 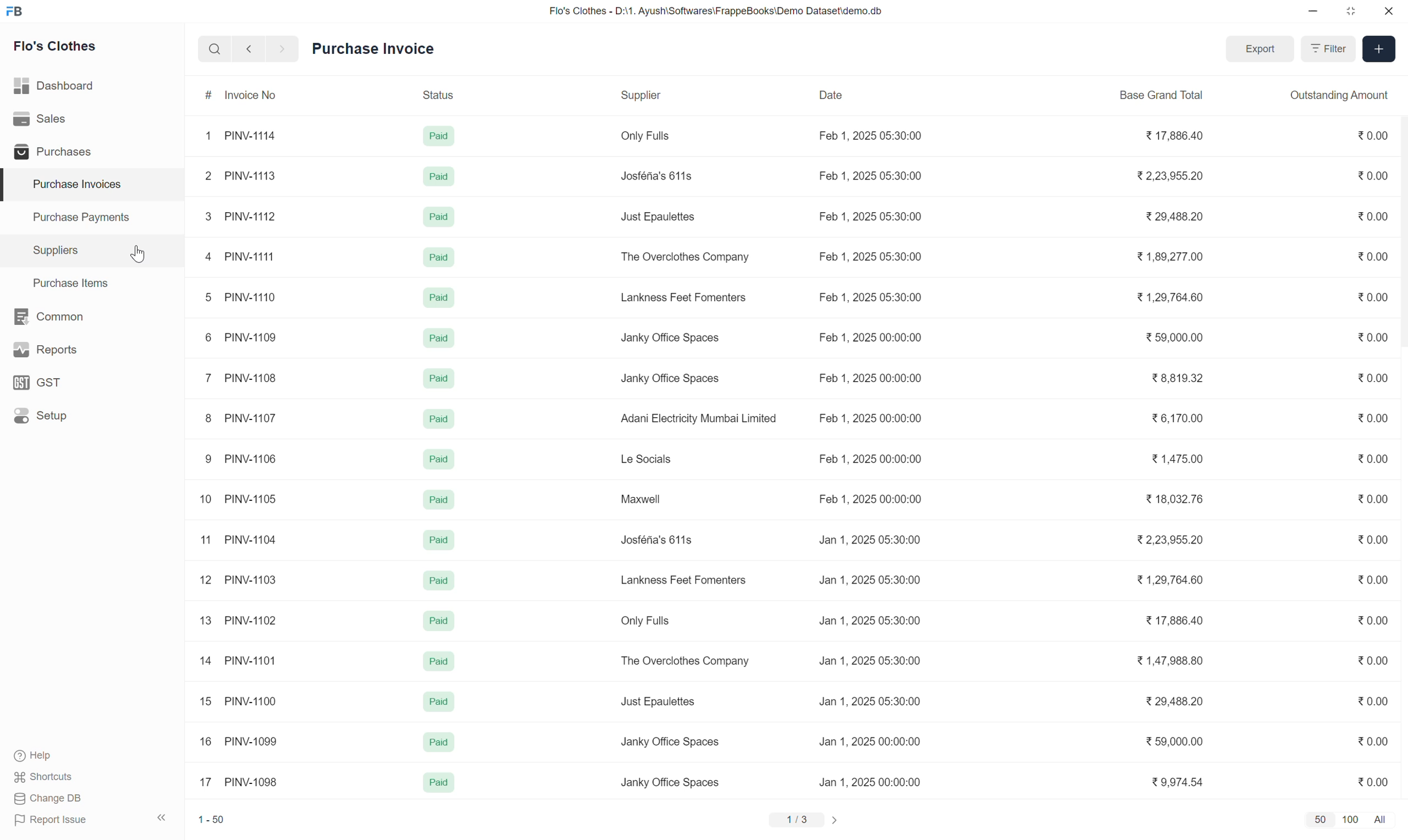 I want to click on 8.819.32, so click(x=1179, y=378).